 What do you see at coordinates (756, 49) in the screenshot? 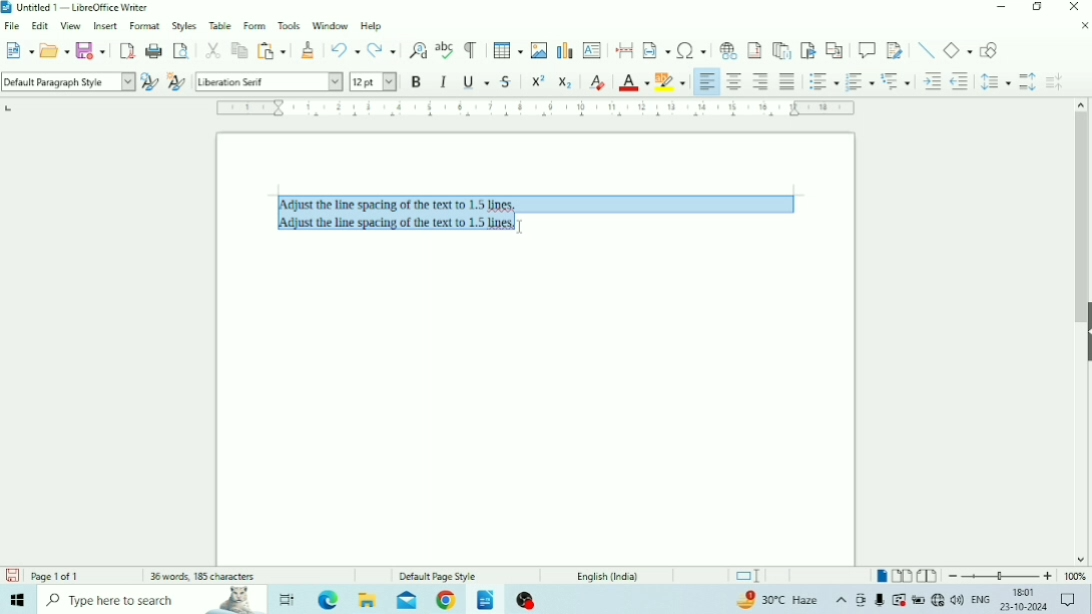
I see `Insert Footnote` at bounding box center [756, 49].